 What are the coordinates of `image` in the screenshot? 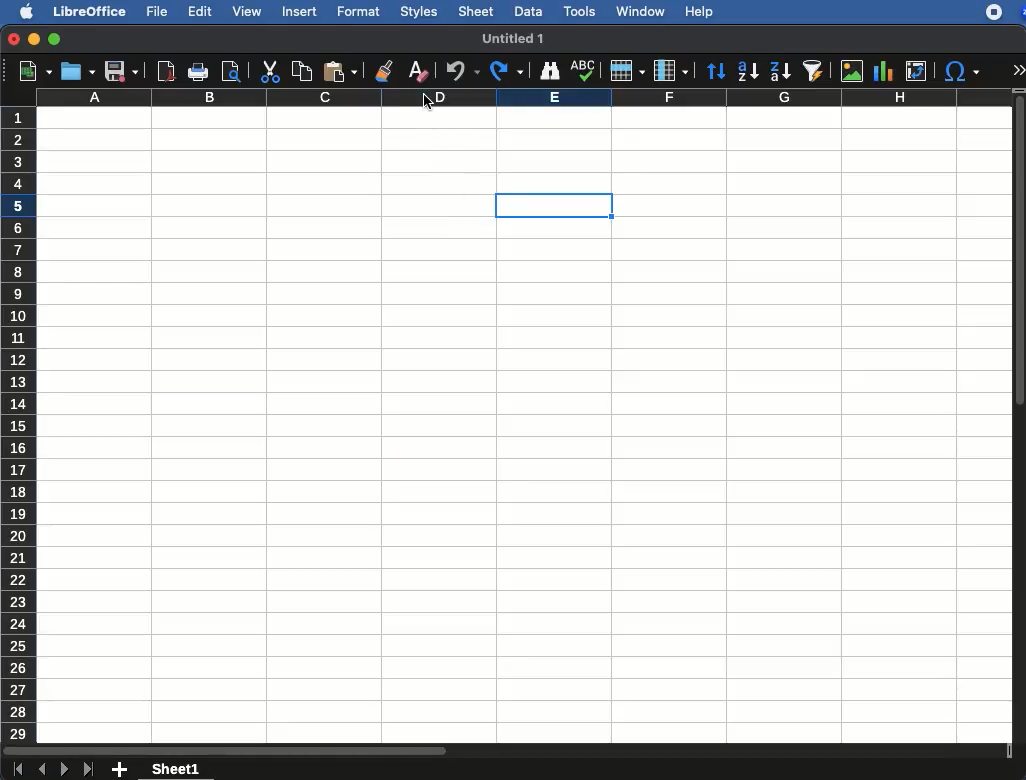 It's located at (852, 71).